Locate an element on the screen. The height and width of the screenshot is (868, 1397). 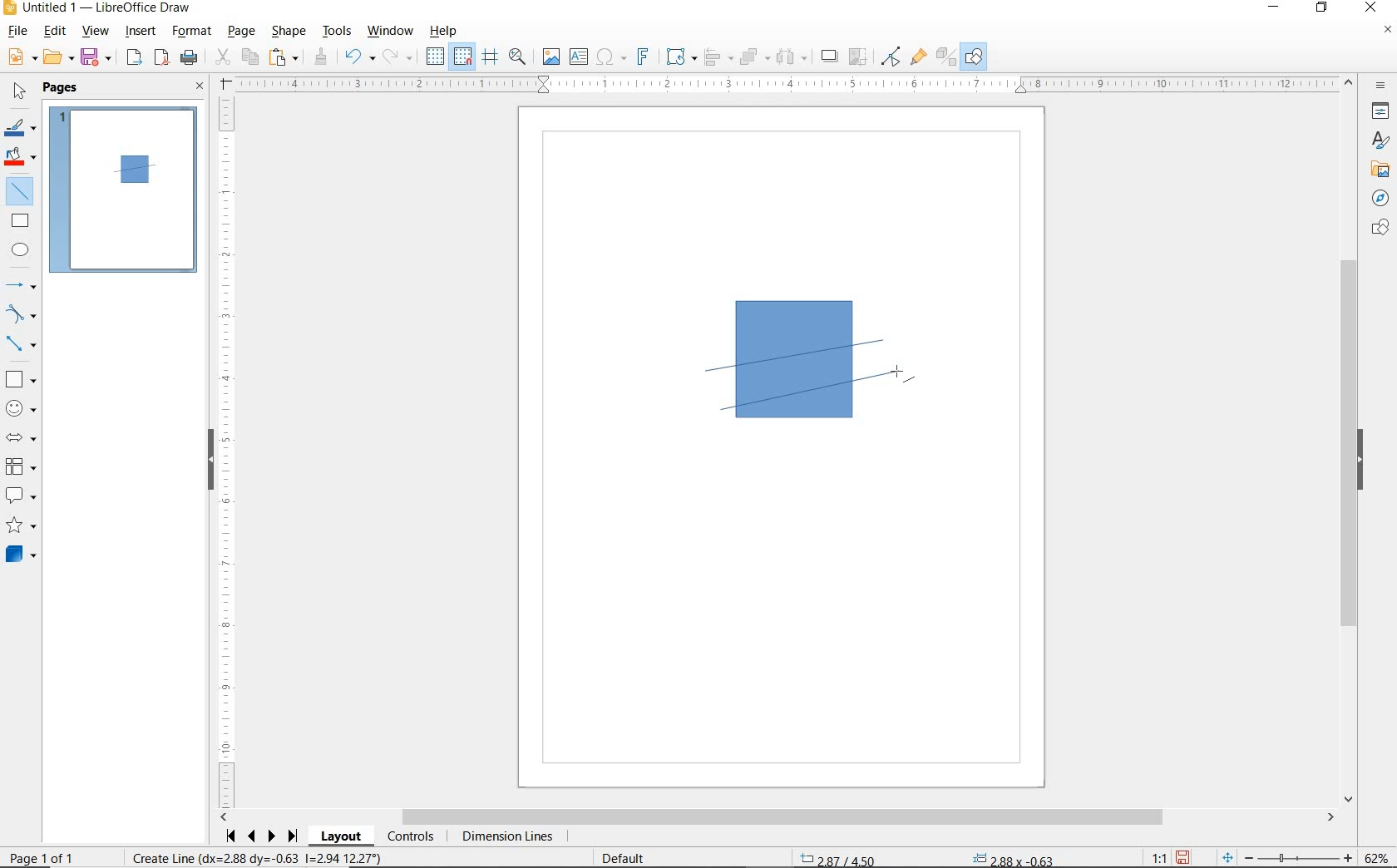
INSERT LINE is located at coordinates (22, 191).